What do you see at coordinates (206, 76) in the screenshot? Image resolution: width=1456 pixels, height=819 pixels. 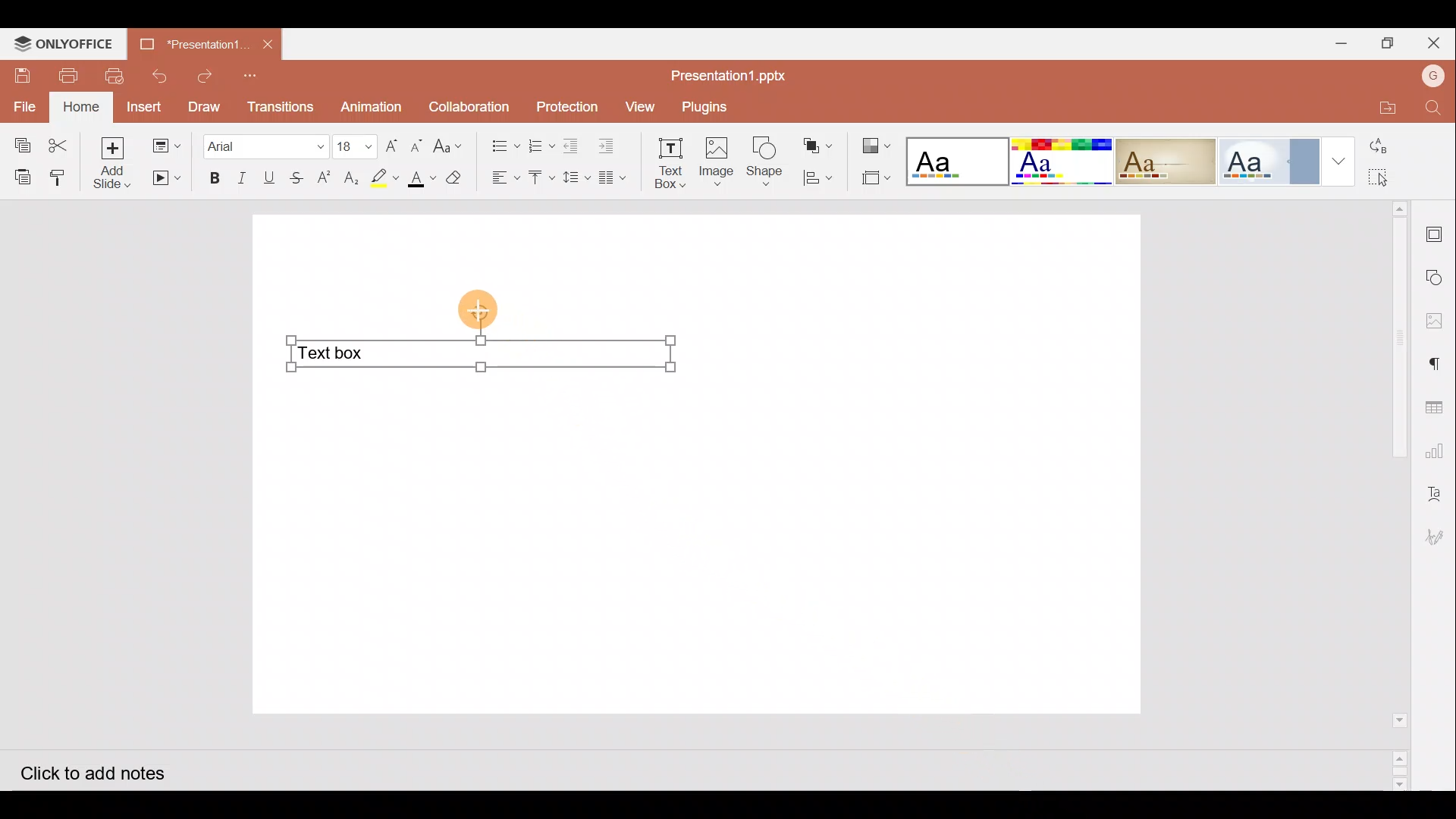 I see `Redo` at bounding box center [206, 76].